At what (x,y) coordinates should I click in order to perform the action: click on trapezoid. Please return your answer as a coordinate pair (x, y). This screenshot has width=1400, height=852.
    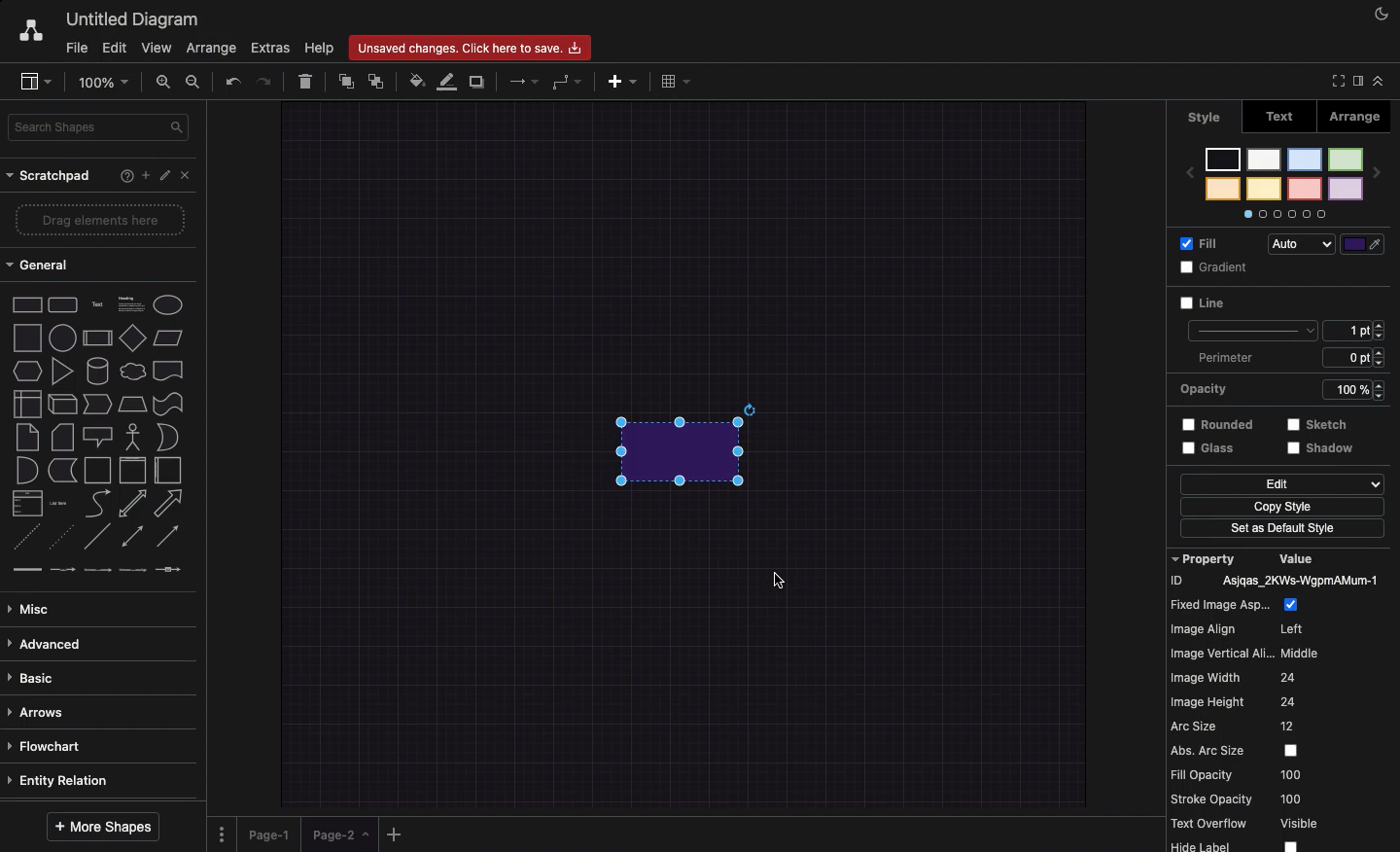
    Looking at the image, I should click on (131, 403).